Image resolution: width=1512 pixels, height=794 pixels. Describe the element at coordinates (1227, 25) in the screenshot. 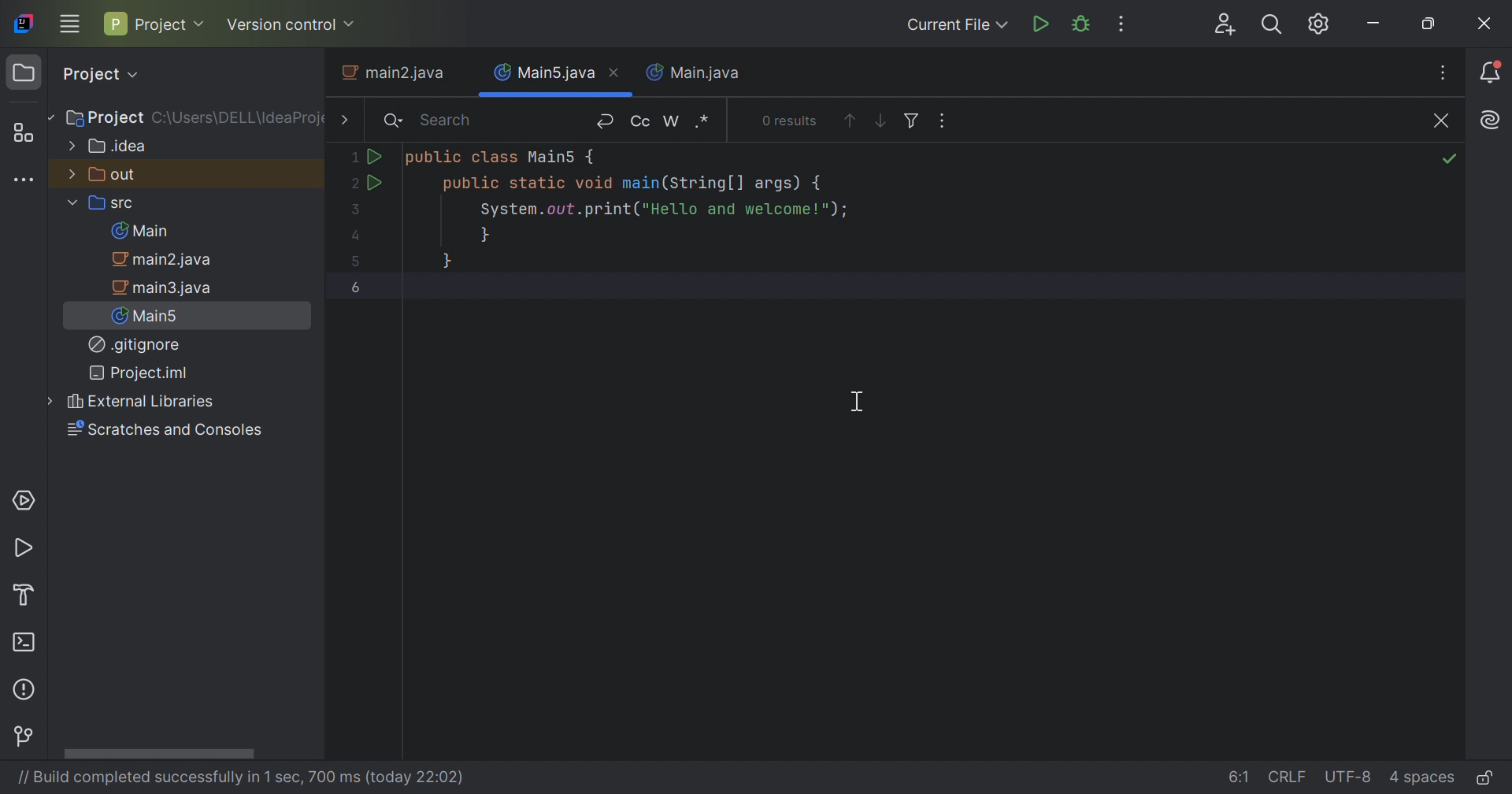

I see `Code With Me` at that location.